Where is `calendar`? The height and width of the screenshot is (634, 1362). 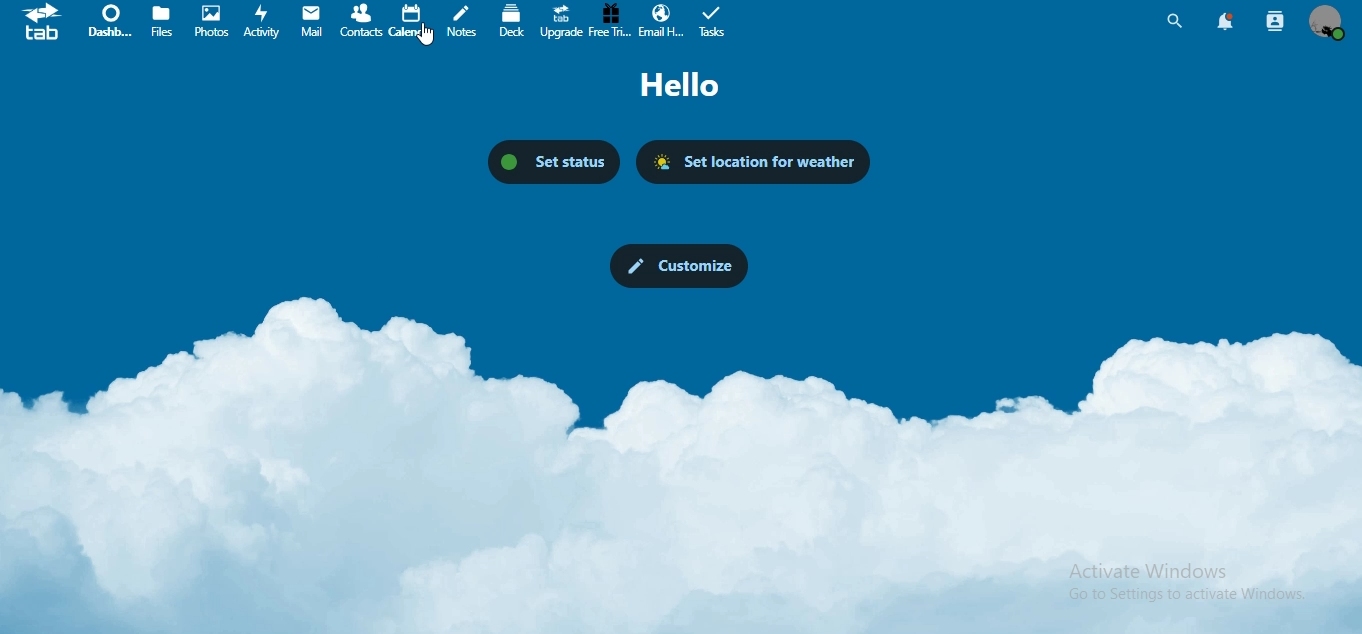 calendar is located at coordinates (409, 20).